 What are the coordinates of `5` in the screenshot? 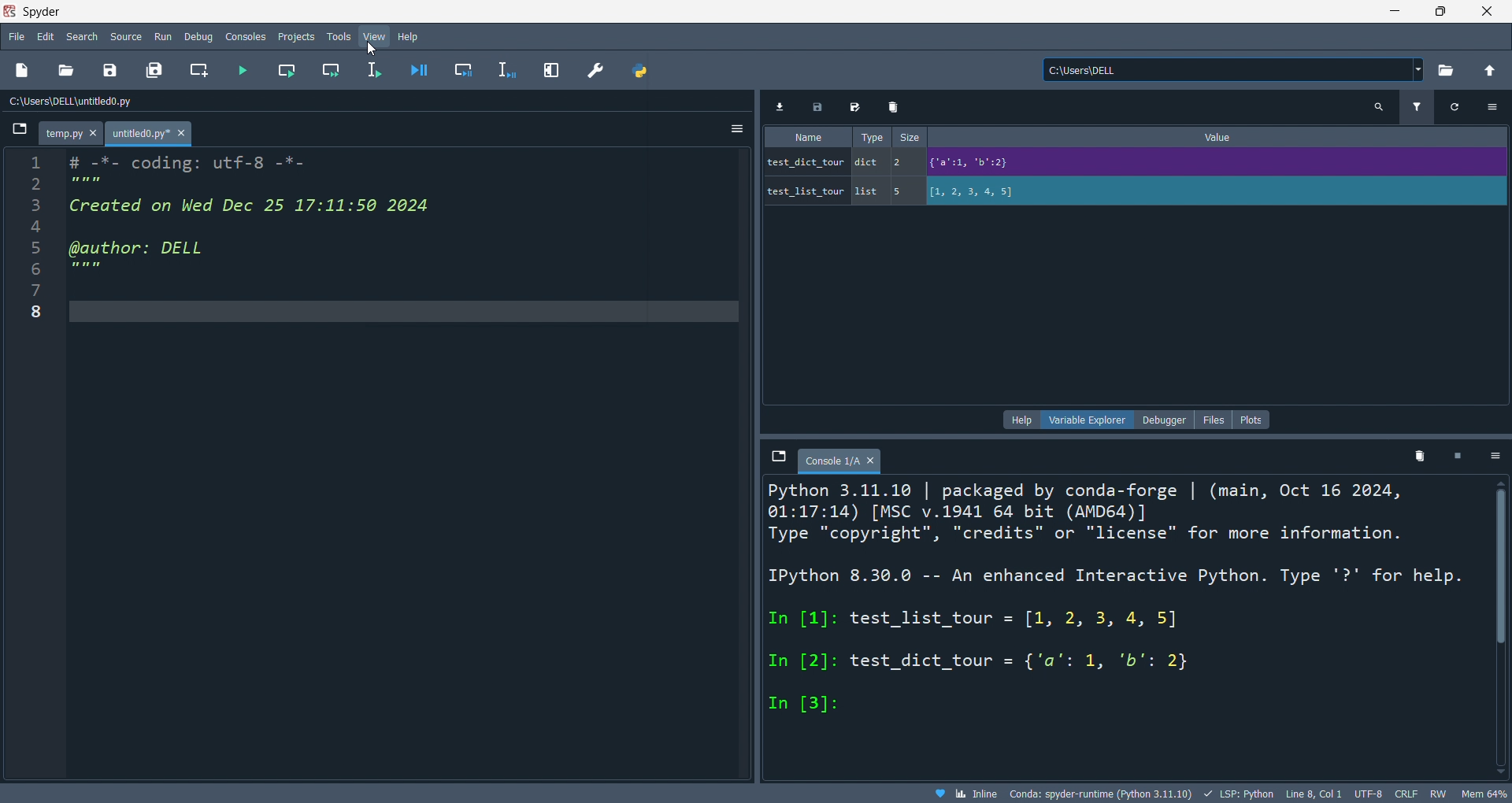 It's located at (903, 191).